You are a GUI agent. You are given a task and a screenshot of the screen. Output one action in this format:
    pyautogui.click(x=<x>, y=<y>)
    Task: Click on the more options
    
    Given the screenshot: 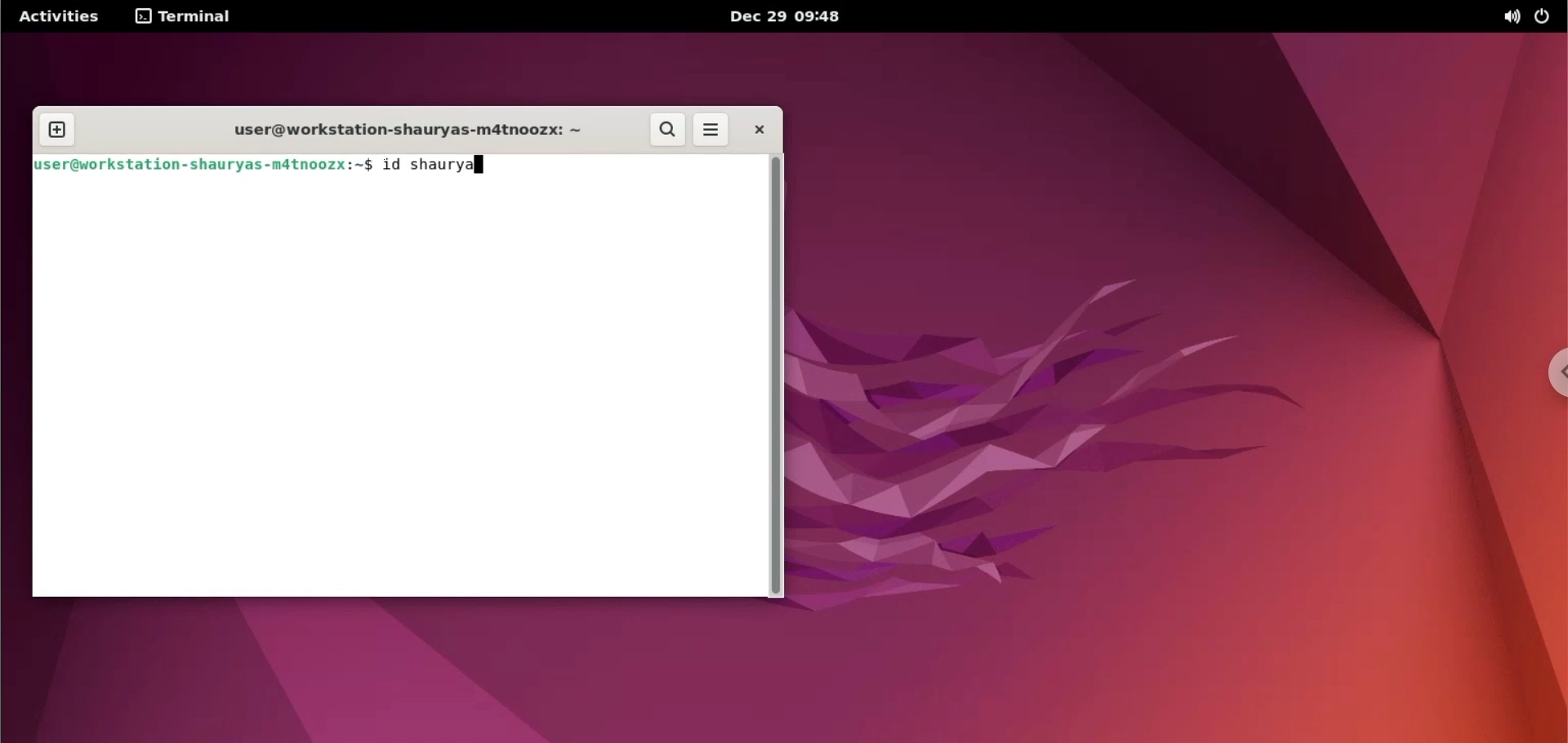 What is the action you would take?
    pyautogui.click(x=712, y=129)
    